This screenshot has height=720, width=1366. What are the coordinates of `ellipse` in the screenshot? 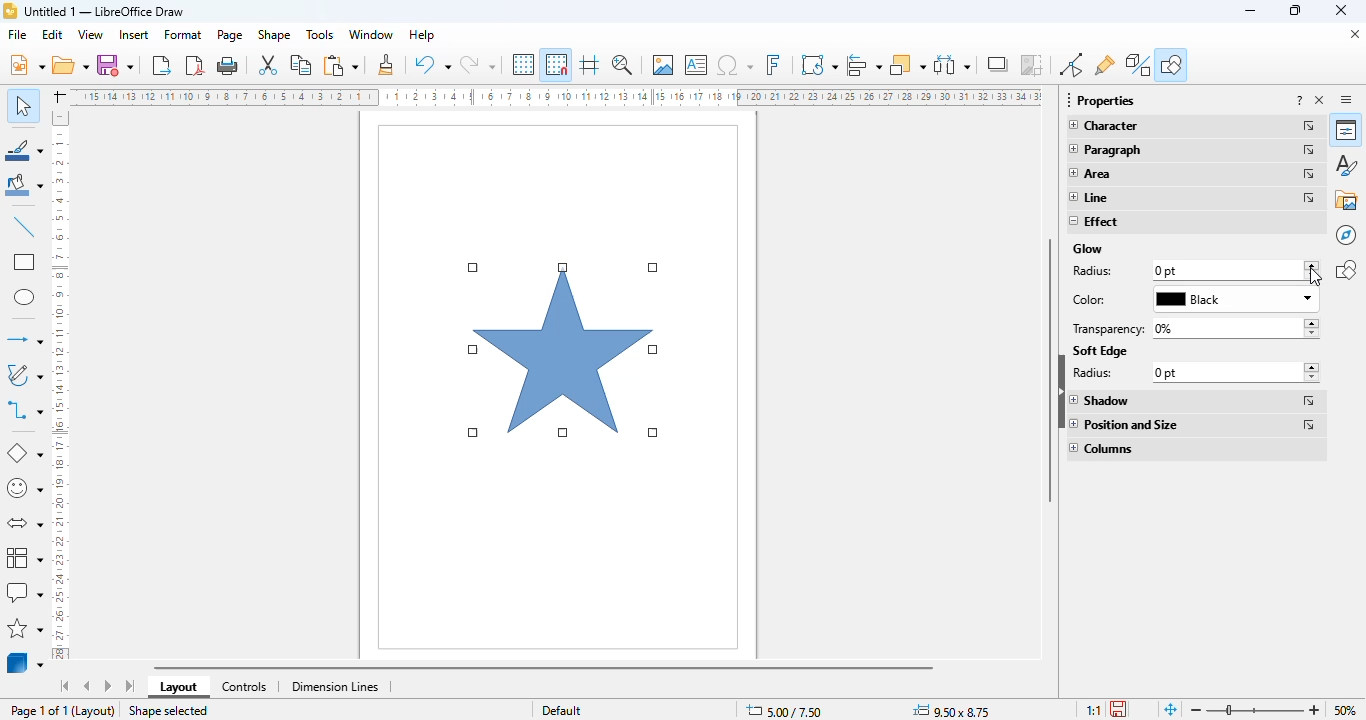 It's located at (25, 297).